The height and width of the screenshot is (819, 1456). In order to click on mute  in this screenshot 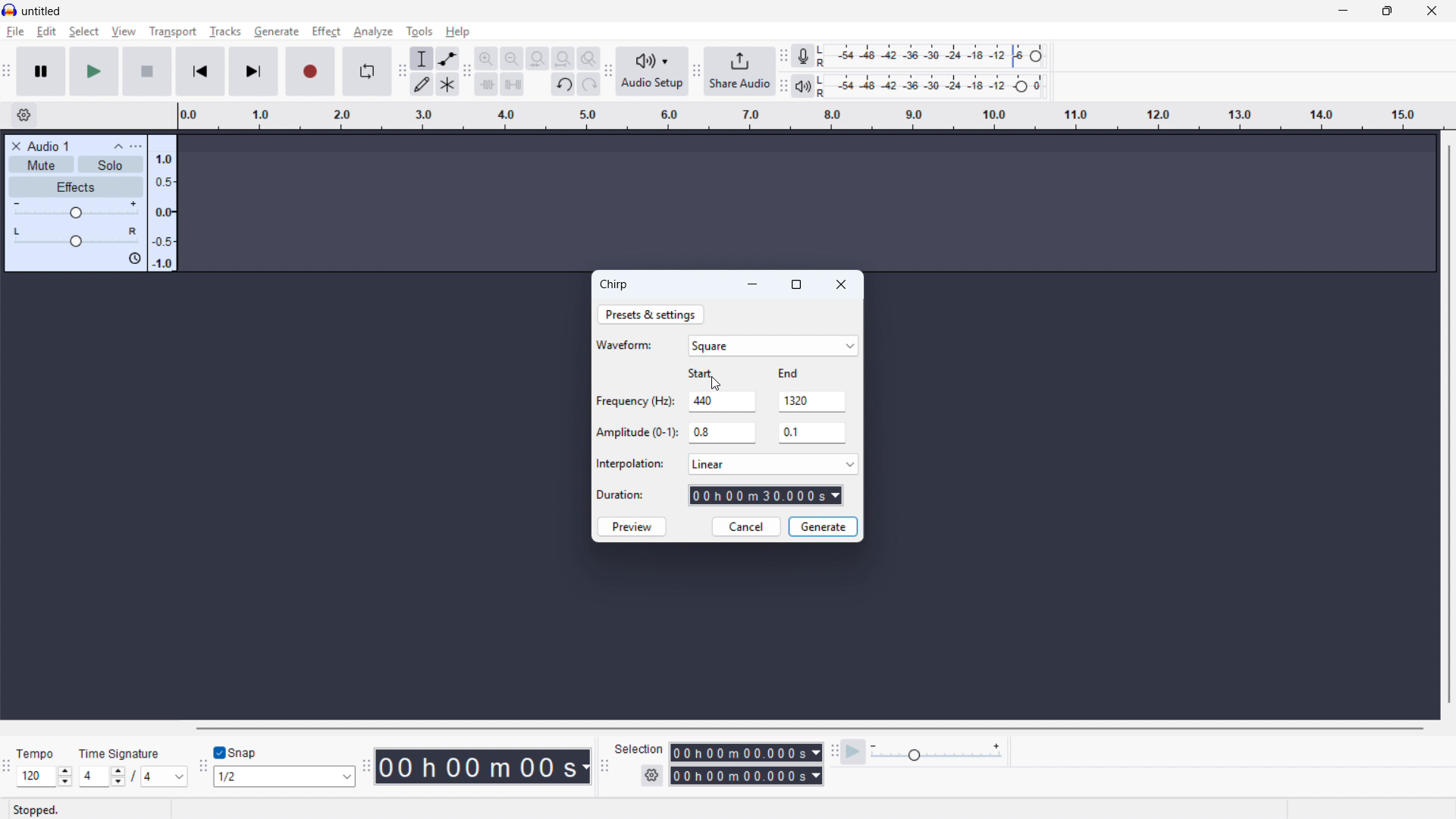, I will do `click(41, 164)`.